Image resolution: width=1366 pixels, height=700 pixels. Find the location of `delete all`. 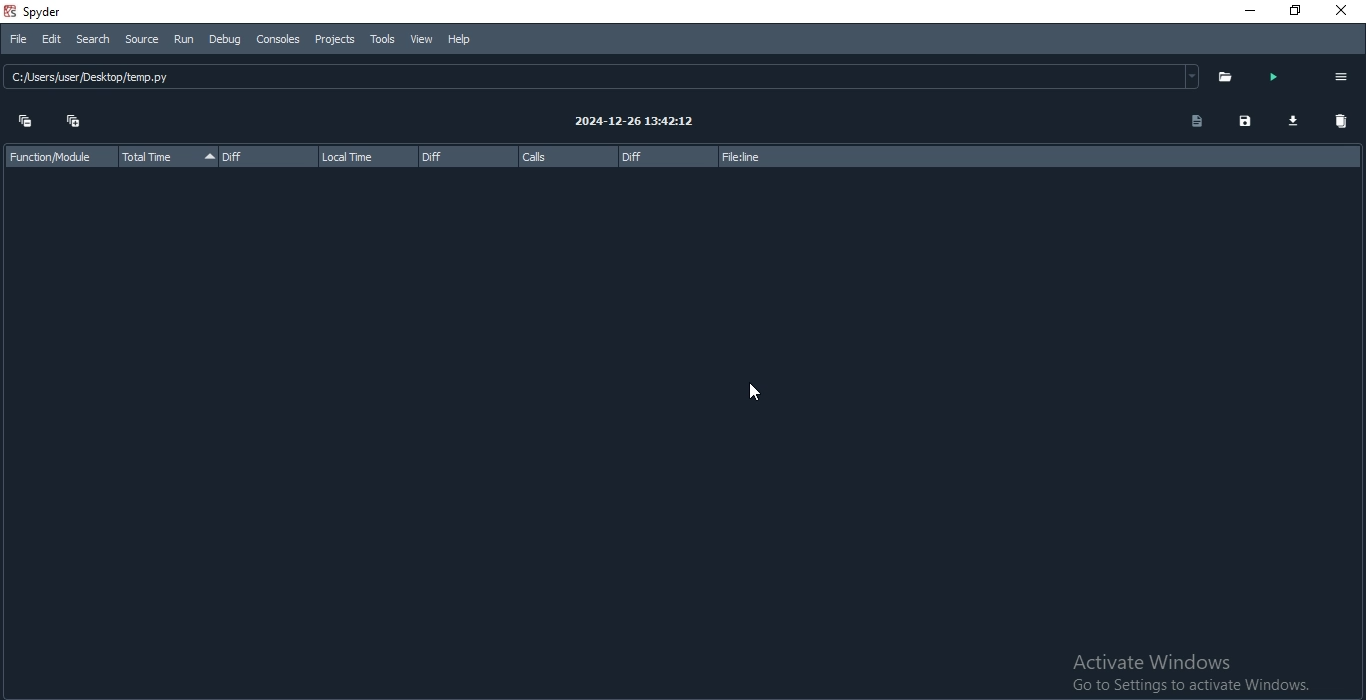

delete all is located at coordinates (1341, 122).